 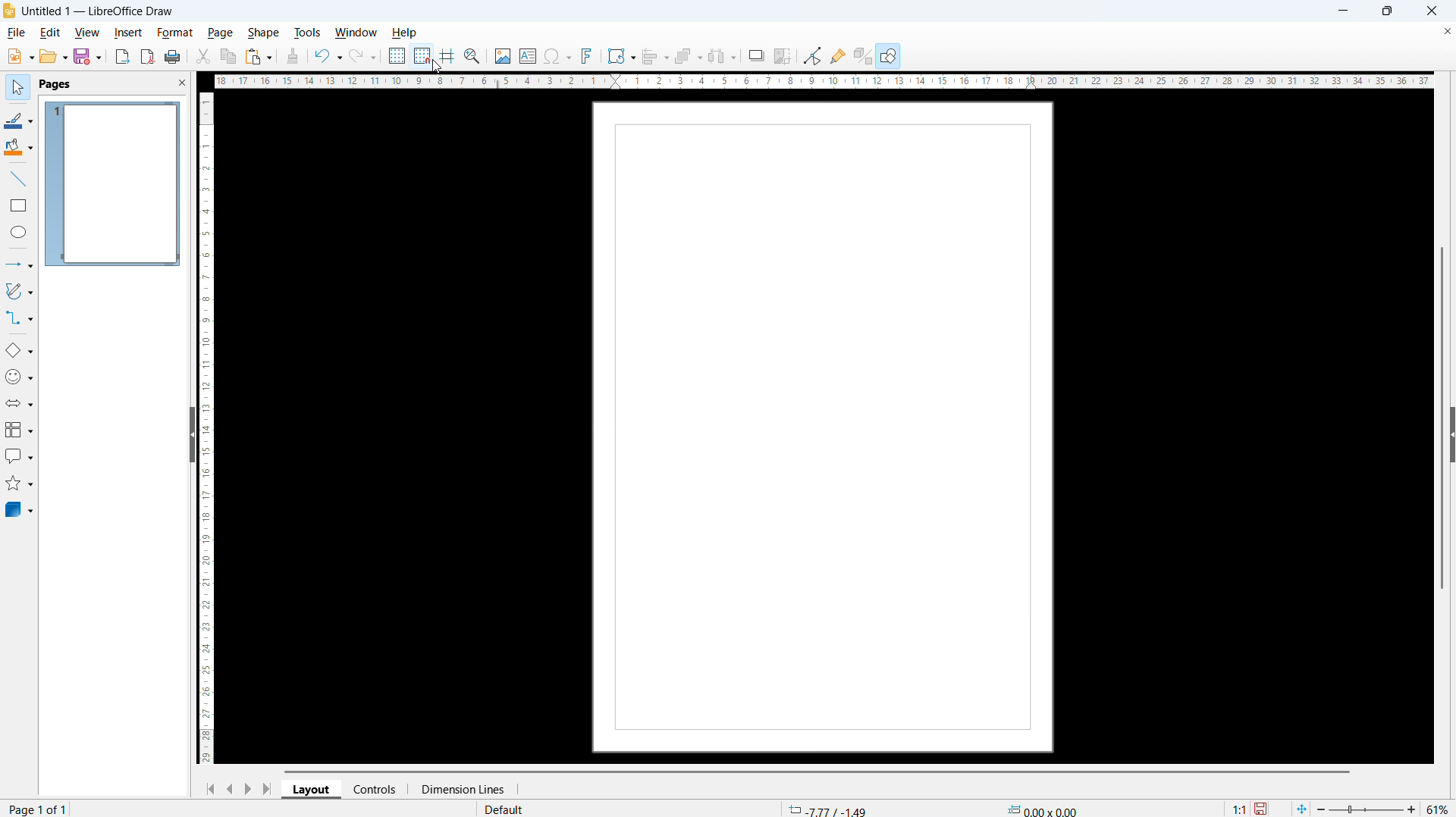 I want to click on Undo , so click(x=328, y=55).